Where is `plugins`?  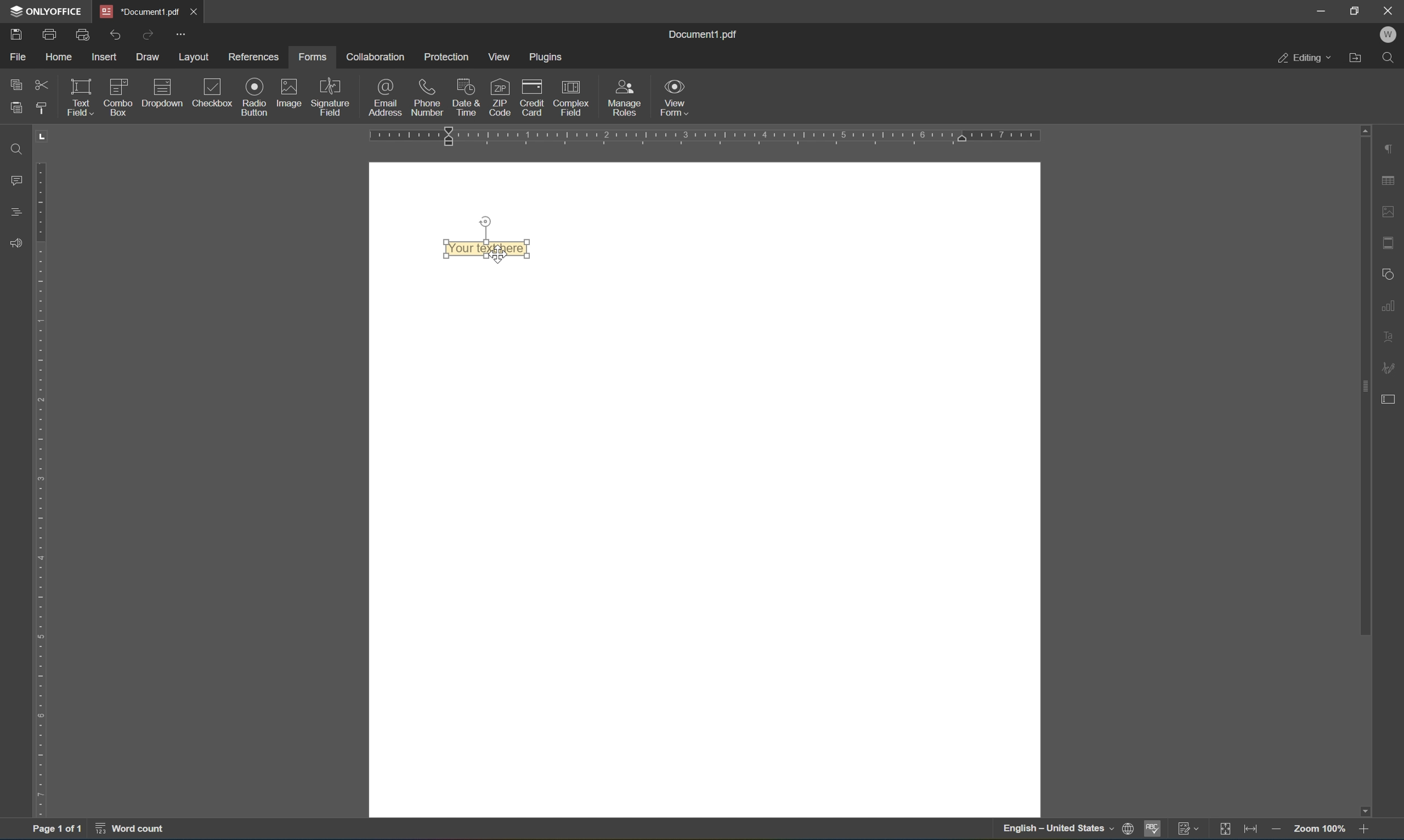 plugins is located at coordinates (549, 57).